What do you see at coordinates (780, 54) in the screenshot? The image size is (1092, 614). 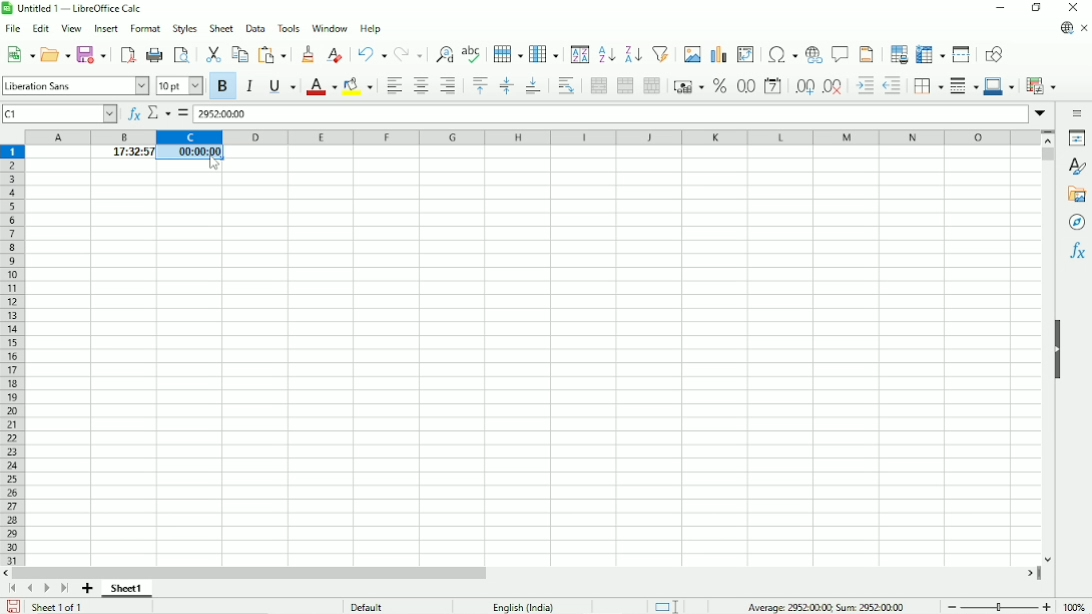 I see `Insert special characters` at bounding box center [780, 54].